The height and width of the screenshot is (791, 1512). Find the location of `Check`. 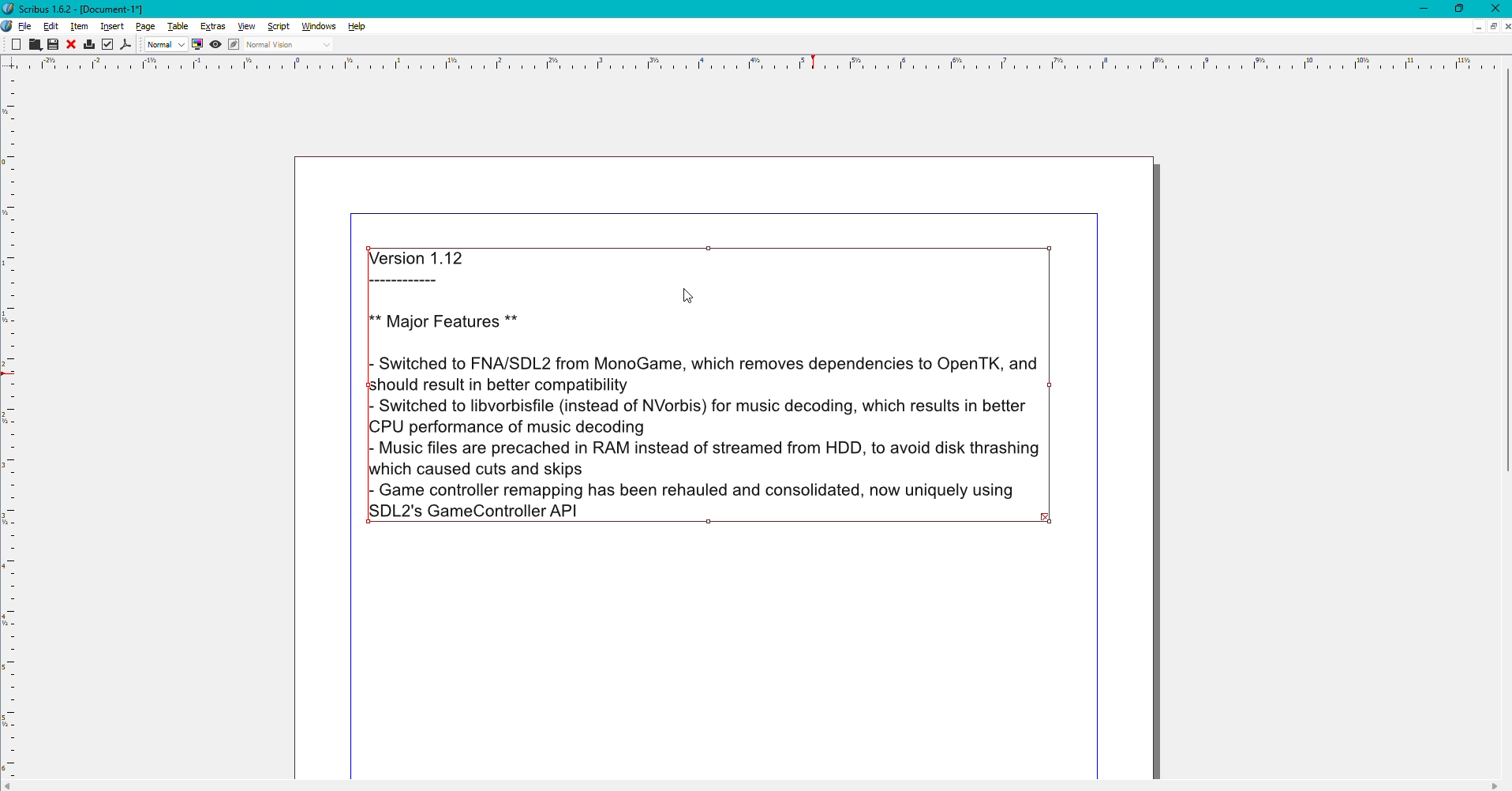

Check is located at coordinates (107, 44).